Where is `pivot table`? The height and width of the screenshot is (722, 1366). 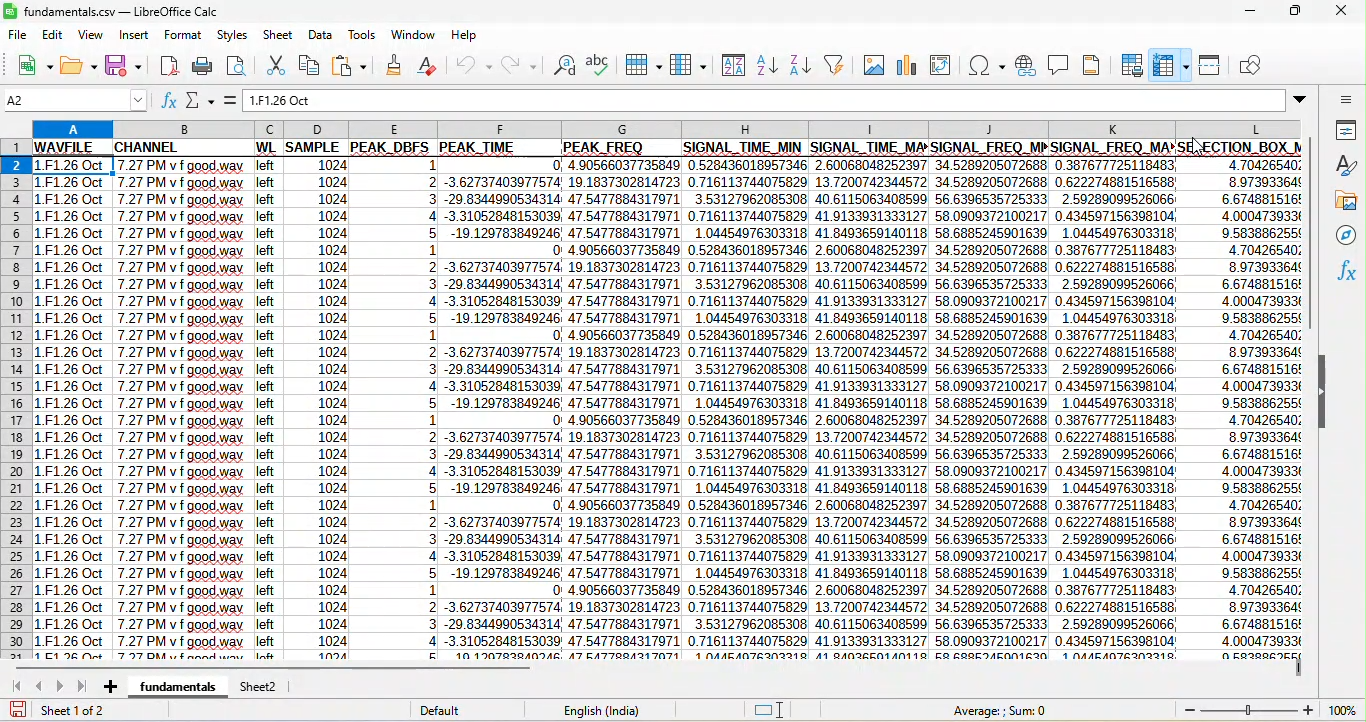
pivot table is located at coordinates (940, 65).